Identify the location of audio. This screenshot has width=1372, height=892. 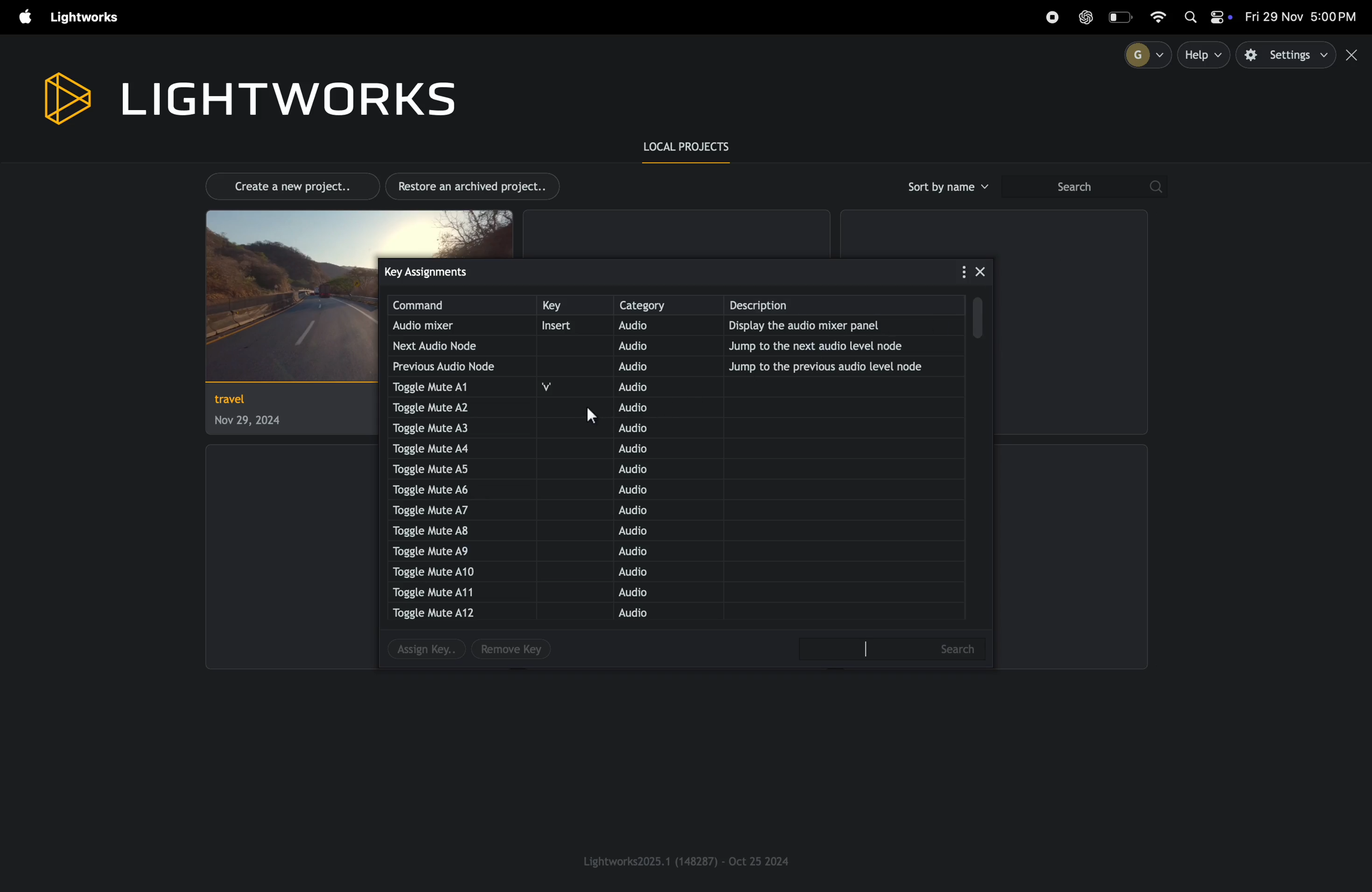
(644, 407).